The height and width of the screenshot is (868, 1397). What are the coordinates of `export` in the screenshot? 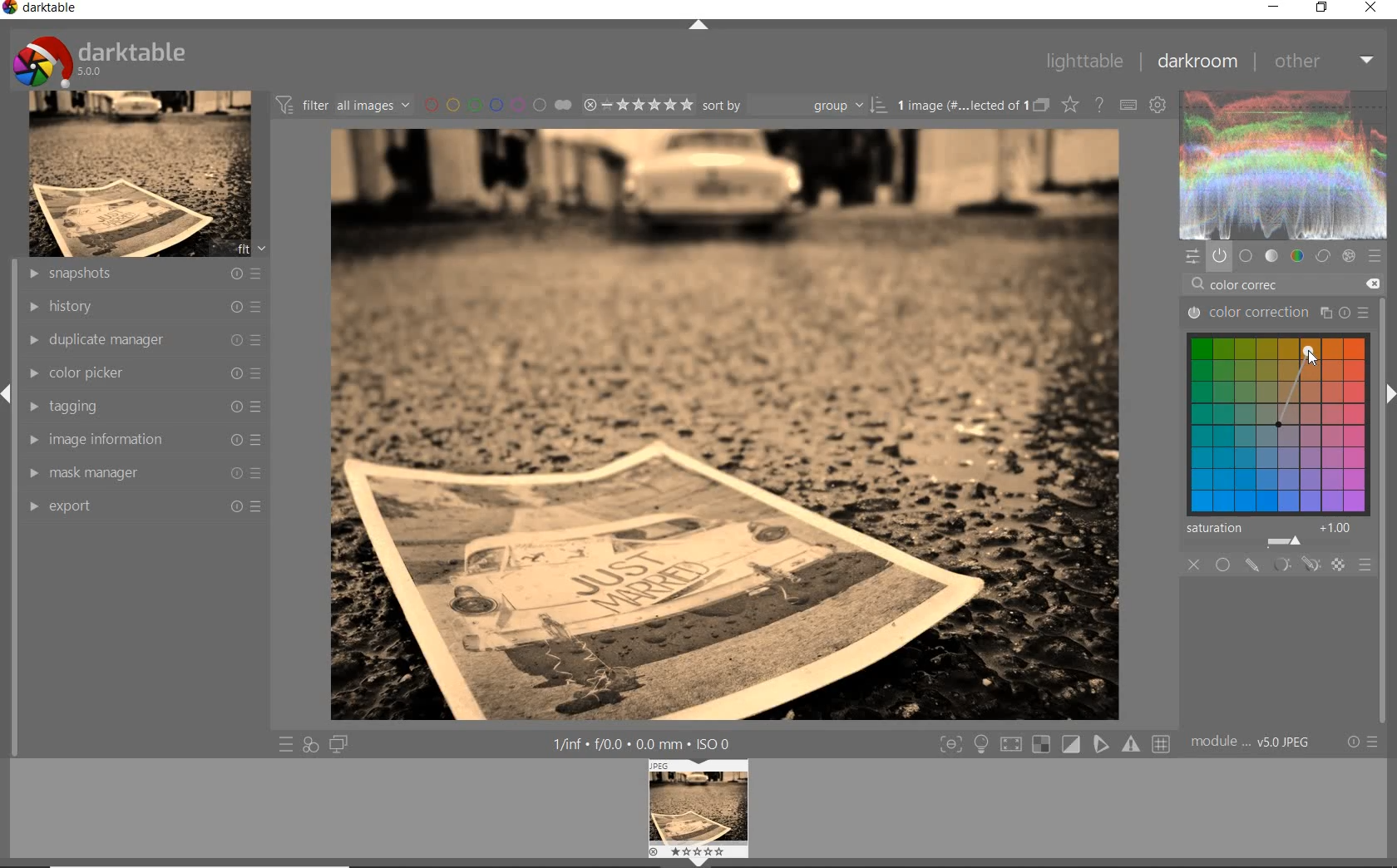 It's located at (143, 505).